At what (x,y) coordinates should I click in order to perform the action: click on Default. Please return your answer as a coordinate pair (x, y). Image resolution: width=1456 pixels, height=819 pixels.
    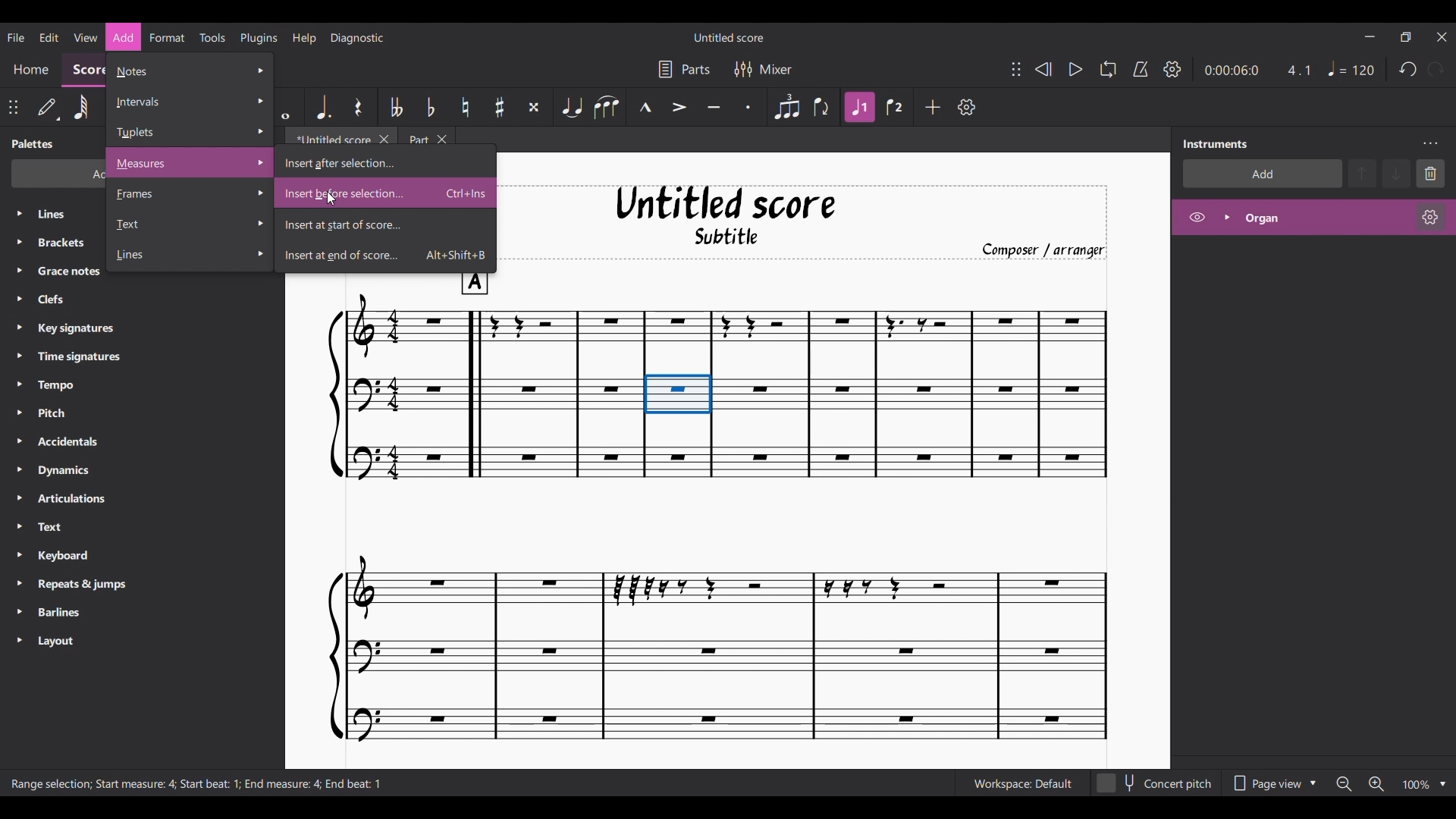
    Looking at the image, I should click on (48, 107).